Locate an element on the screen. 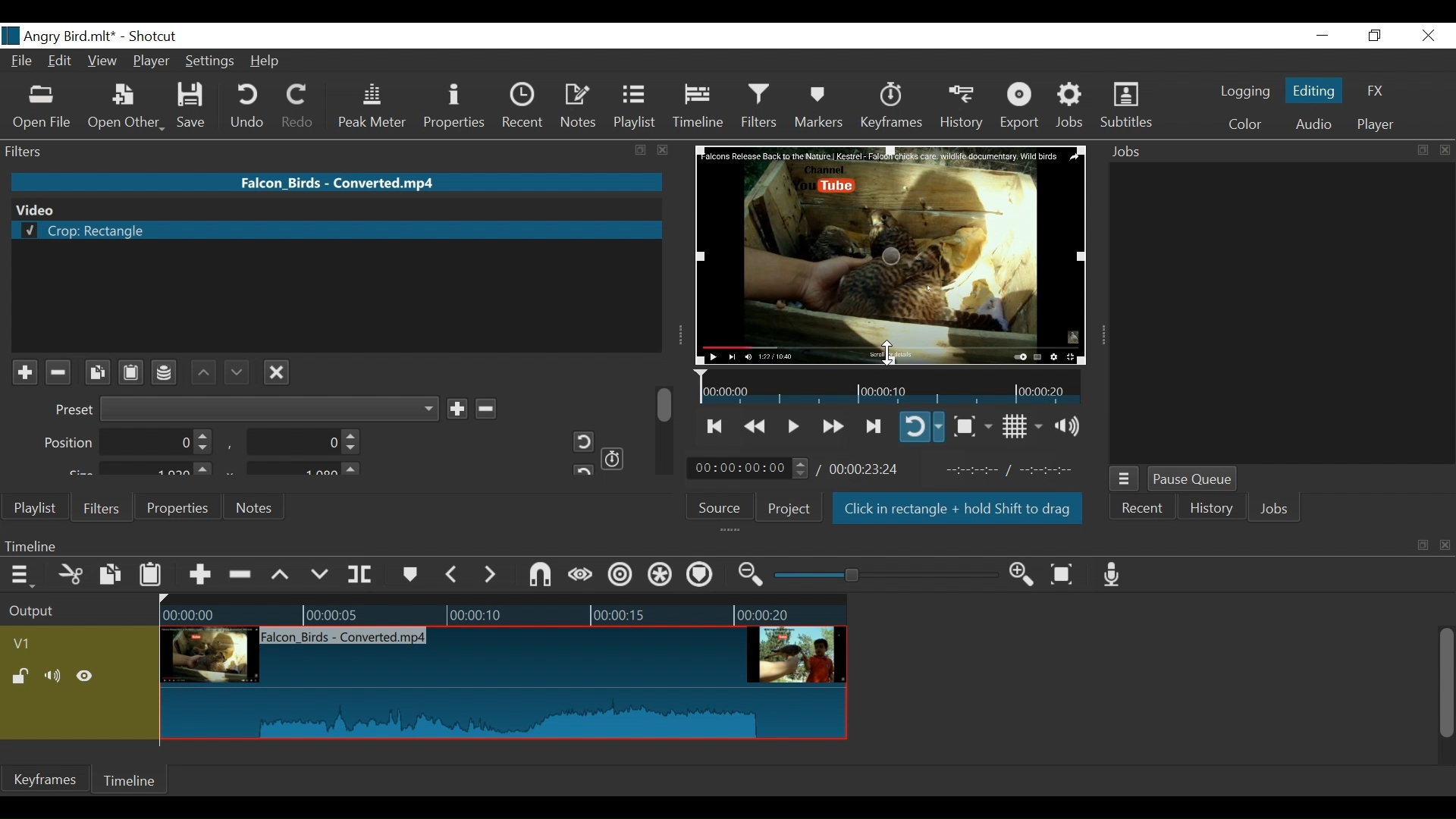 The width and height of the screenshot is (1456, 819). Player is located at coordinates (152, 63).